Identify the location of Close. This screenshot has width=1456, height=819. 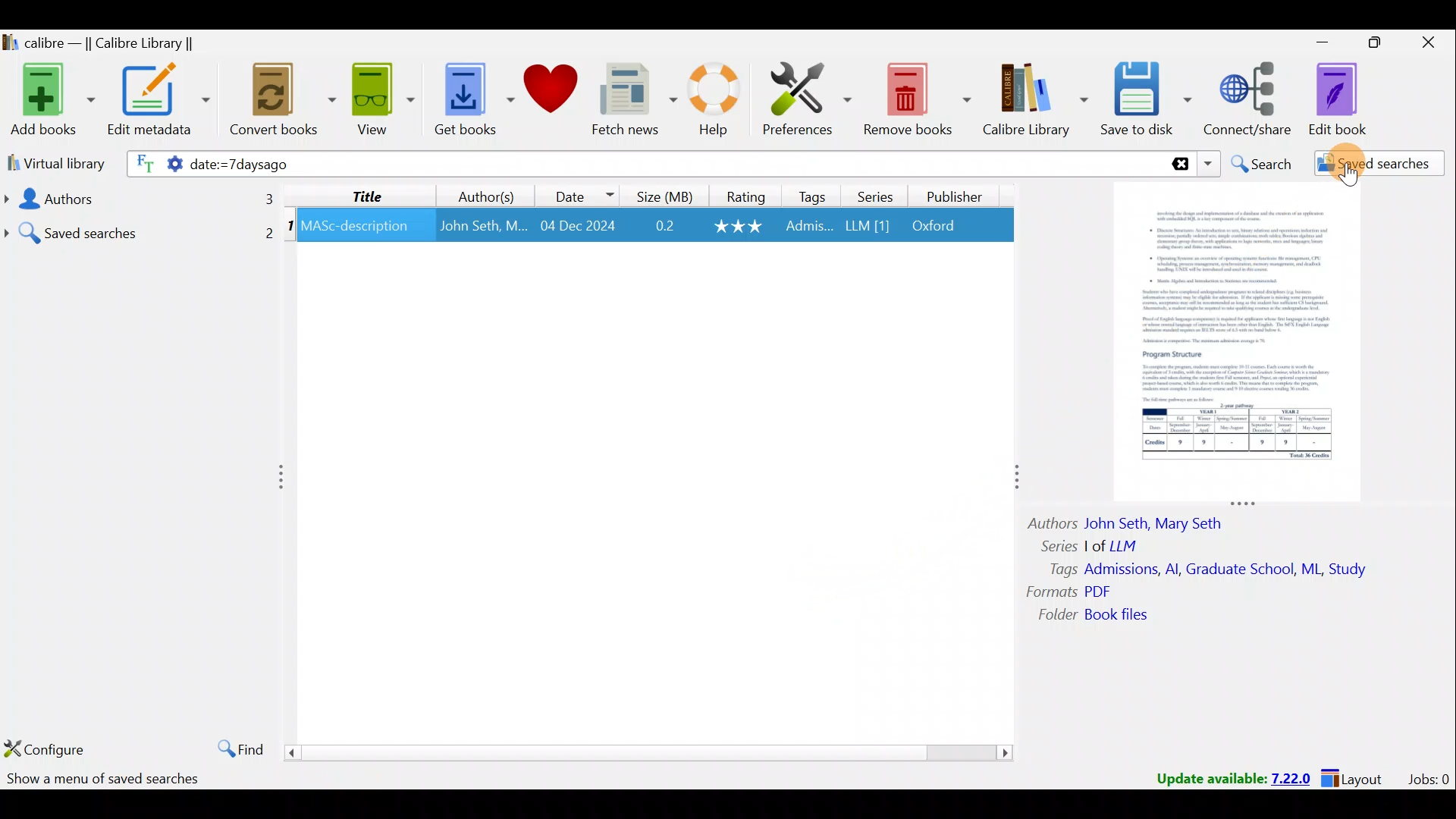
(1426, 45).